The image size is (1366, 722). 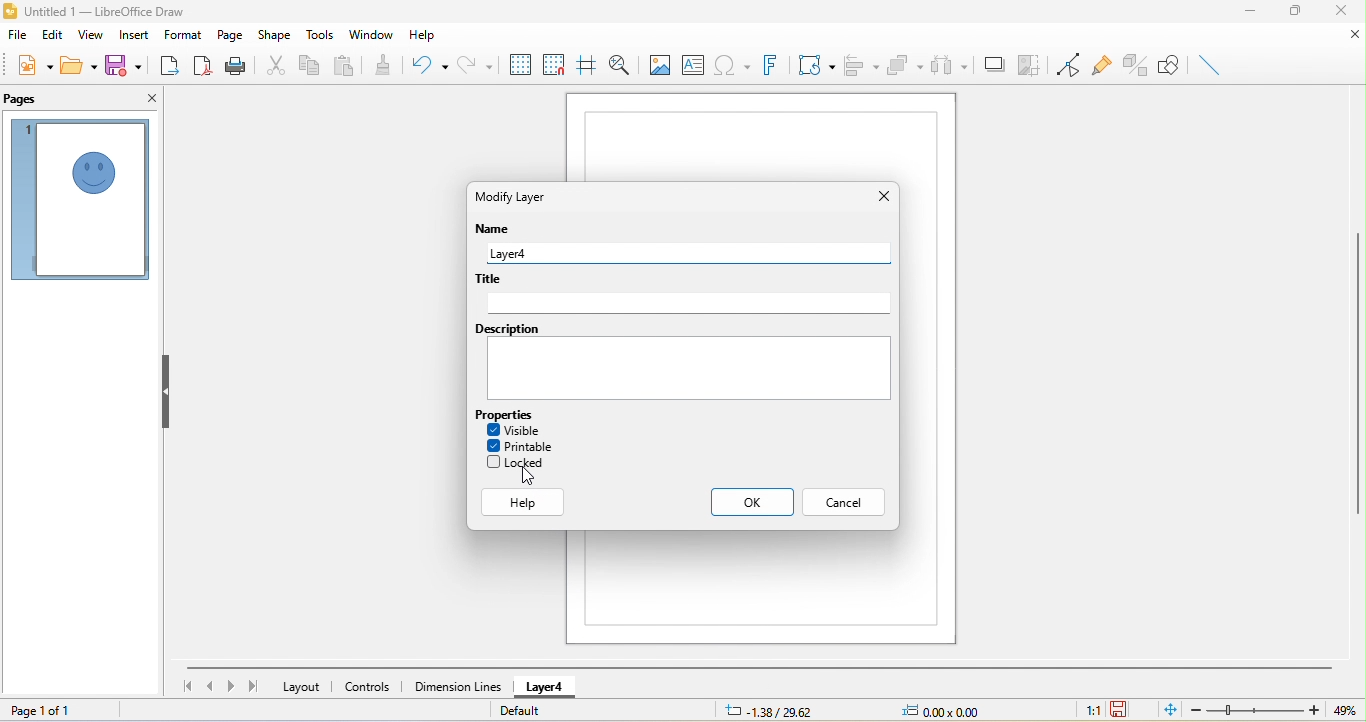 What do you see at coordinates (731, 64) in the screenshot?
I see `special character` at bounding box center [731, 64].